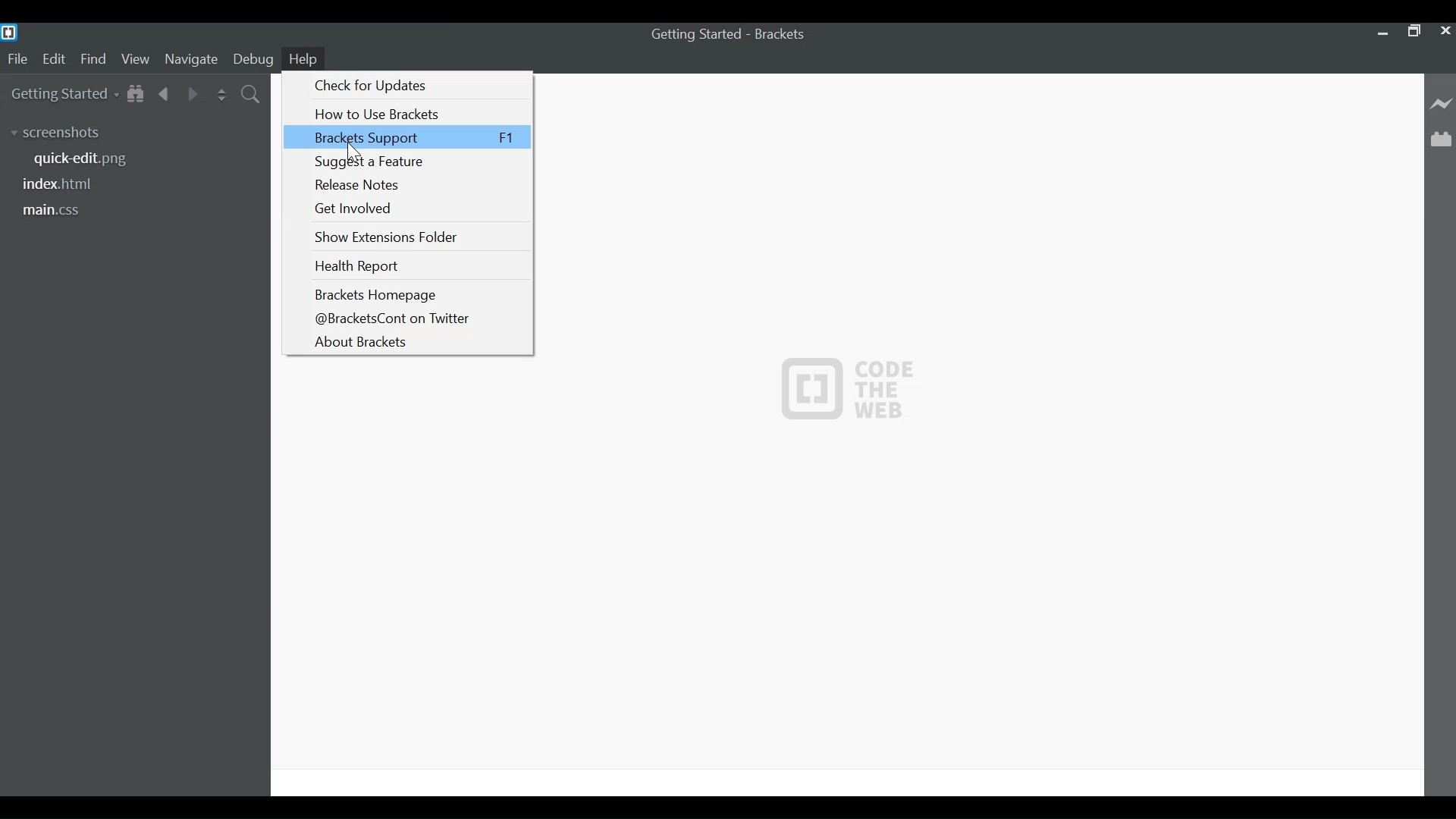 The height and width of the screenshot is (819, 1456). What do you see at coordinates (417, 115) in the screenshot?
I see `How to Use Brackets` at bounding box center [417, 115].